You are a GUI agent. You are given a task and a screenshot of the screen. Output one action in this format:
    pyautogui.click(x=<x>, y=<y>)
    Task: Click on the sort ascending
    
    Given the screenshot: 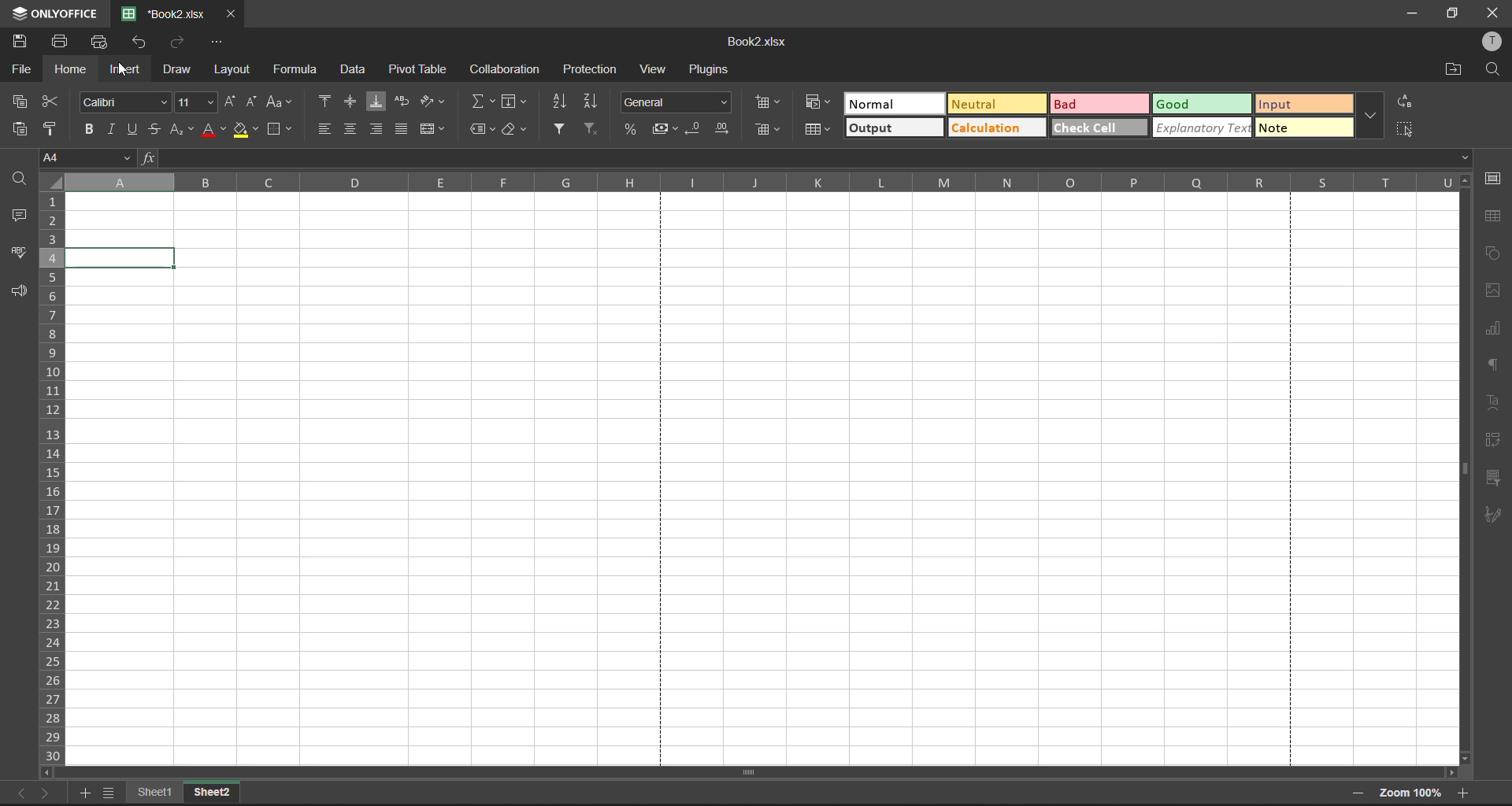 What is the action you would take?
    pyautogui.click(x=561, y=101)
    